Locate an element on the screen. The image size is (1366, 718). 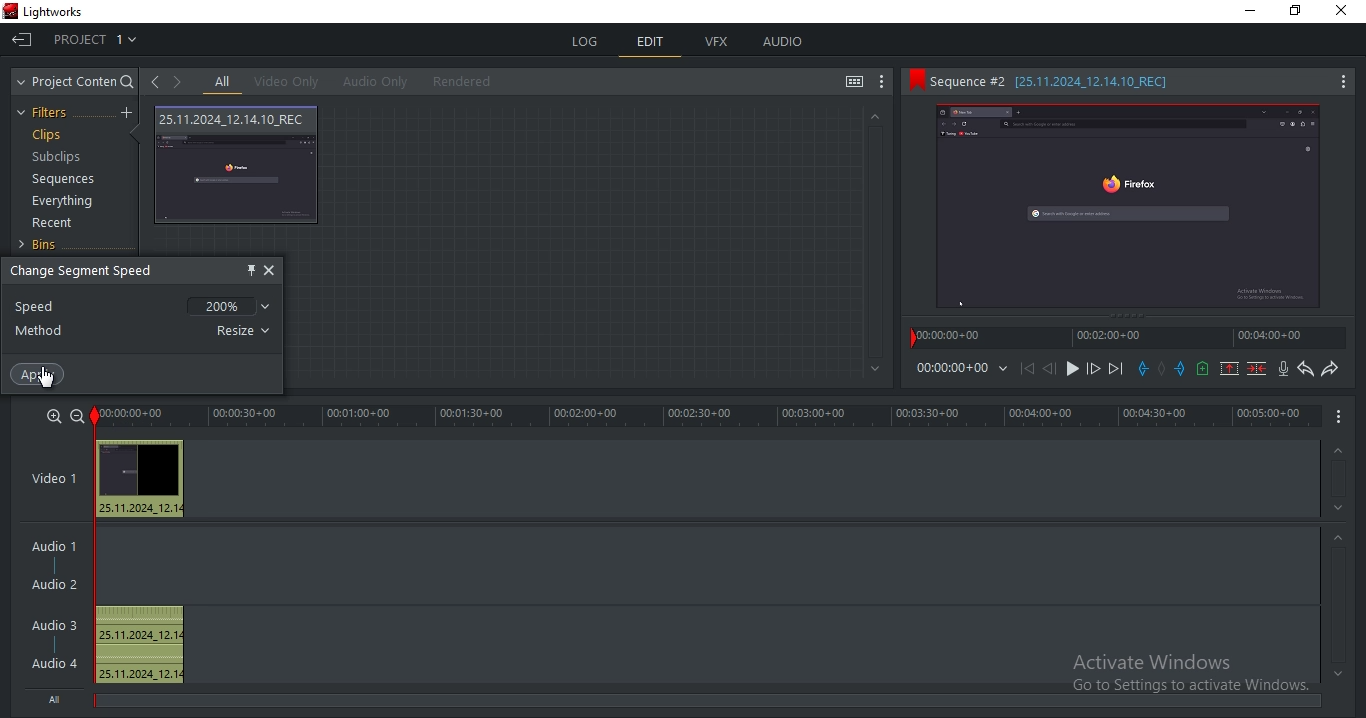
change segment speed  is located at coordinates (87, 271).